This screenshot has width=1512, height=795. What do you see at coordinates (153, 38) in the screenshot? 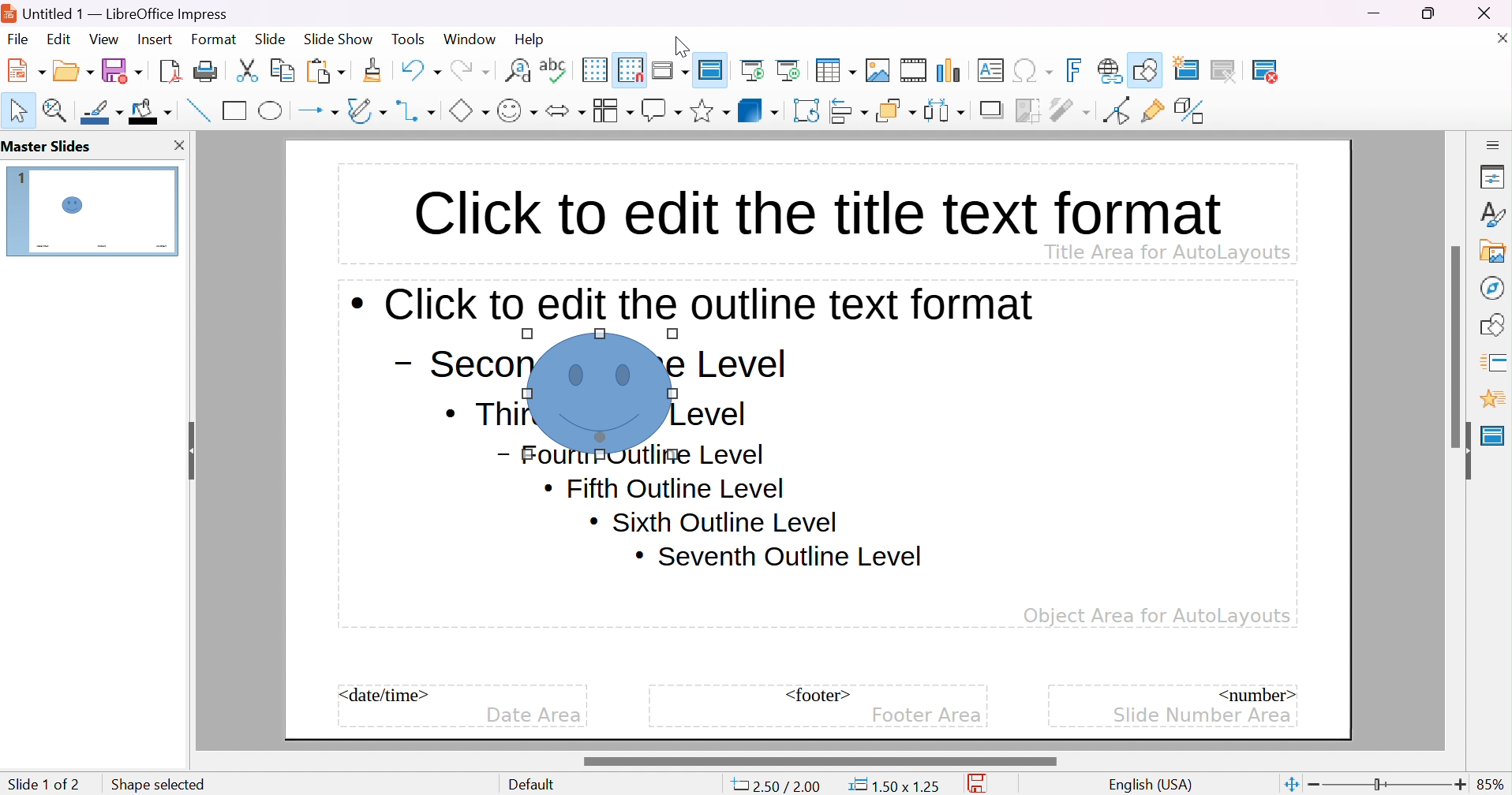
I see `insert` at bounding box center [153, 38].